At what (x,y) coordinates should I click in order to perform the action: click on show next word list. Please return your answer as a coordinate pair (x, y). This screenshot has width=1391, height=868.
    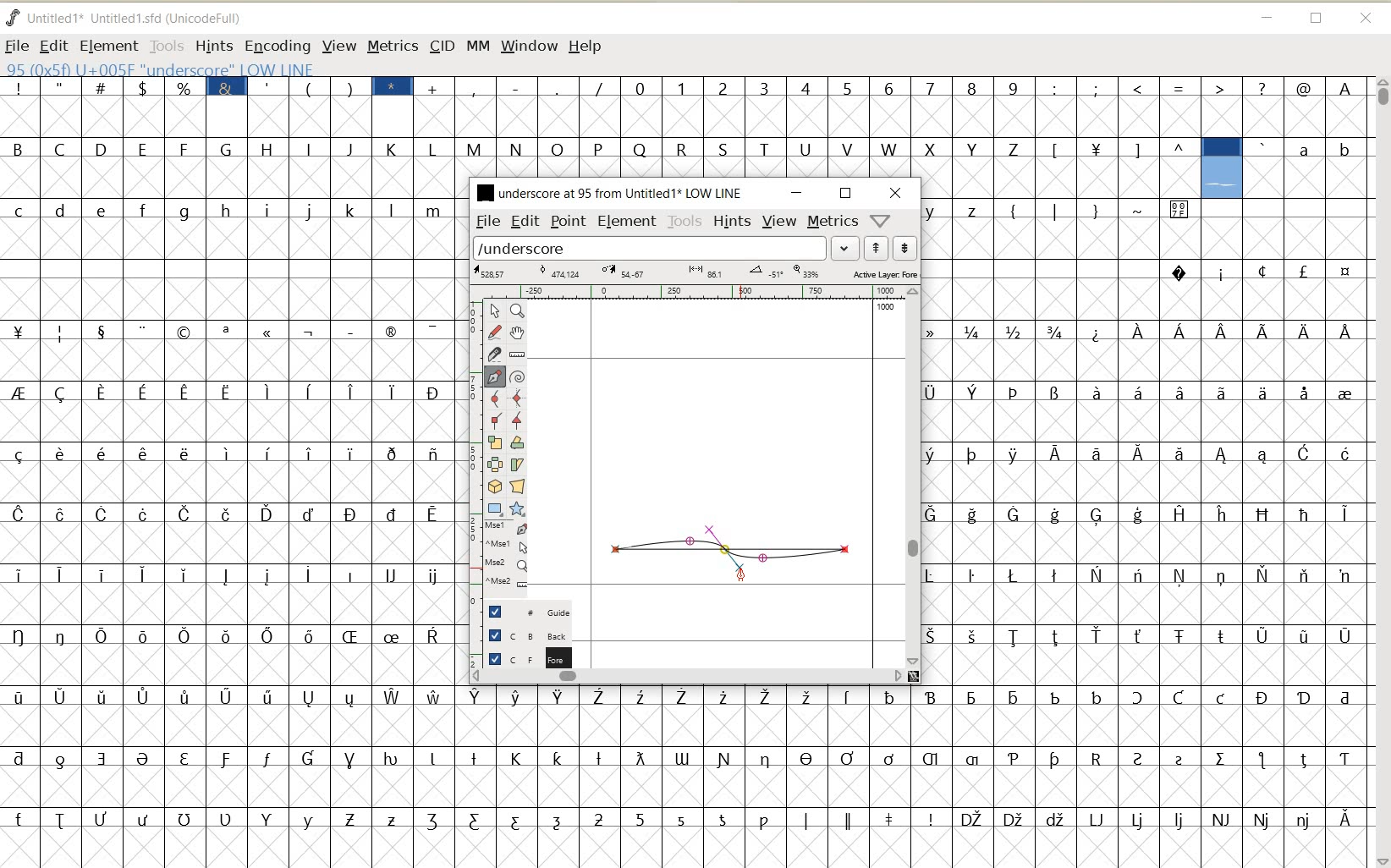
    Looking at the image, I should click on (905, 248).